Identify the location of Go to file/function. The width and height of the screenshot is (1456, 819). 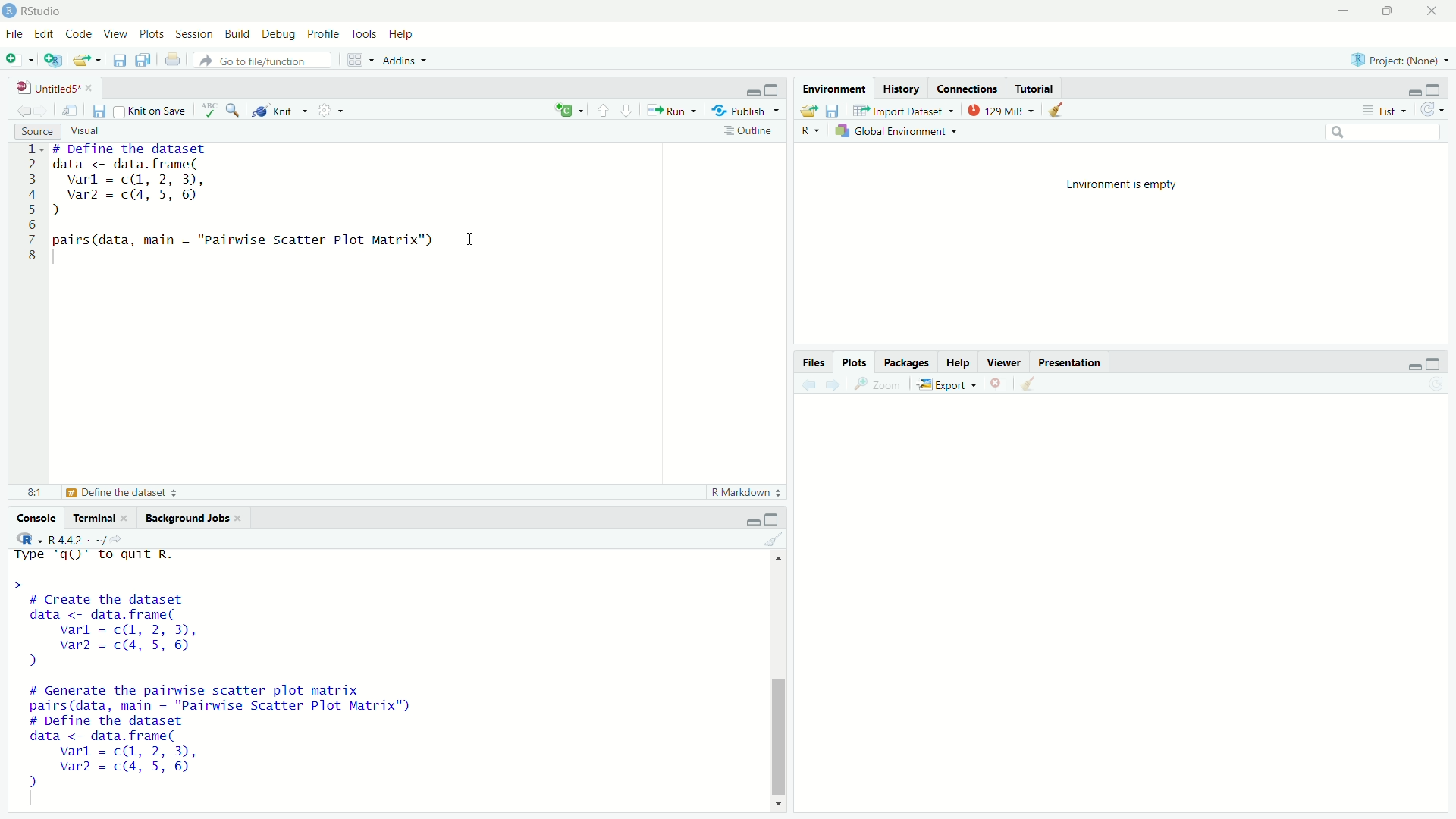
(262, 59).